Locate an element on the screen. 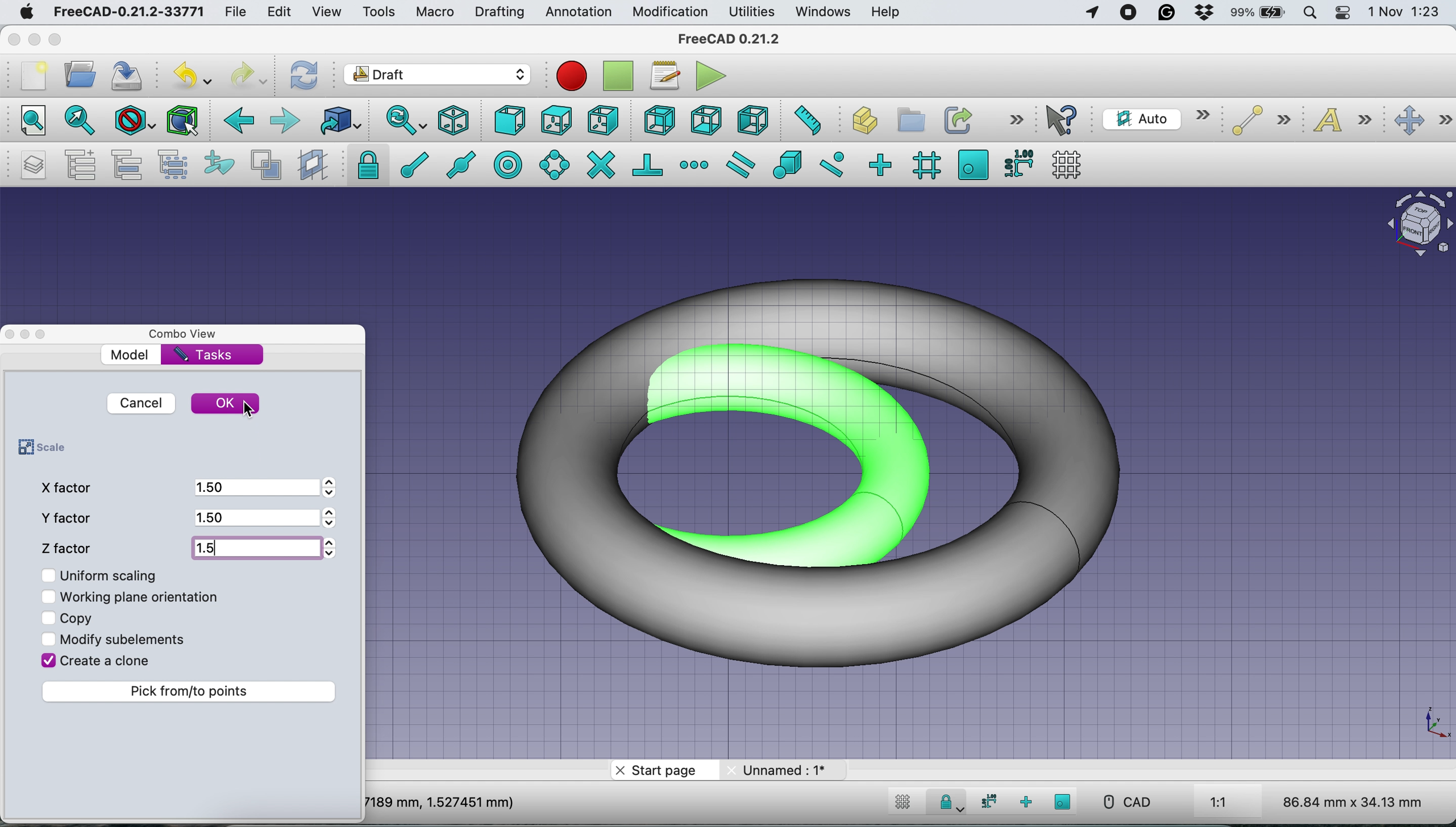 This screenshot has height=827, width=1456. help is located at coordinates (883, 12).